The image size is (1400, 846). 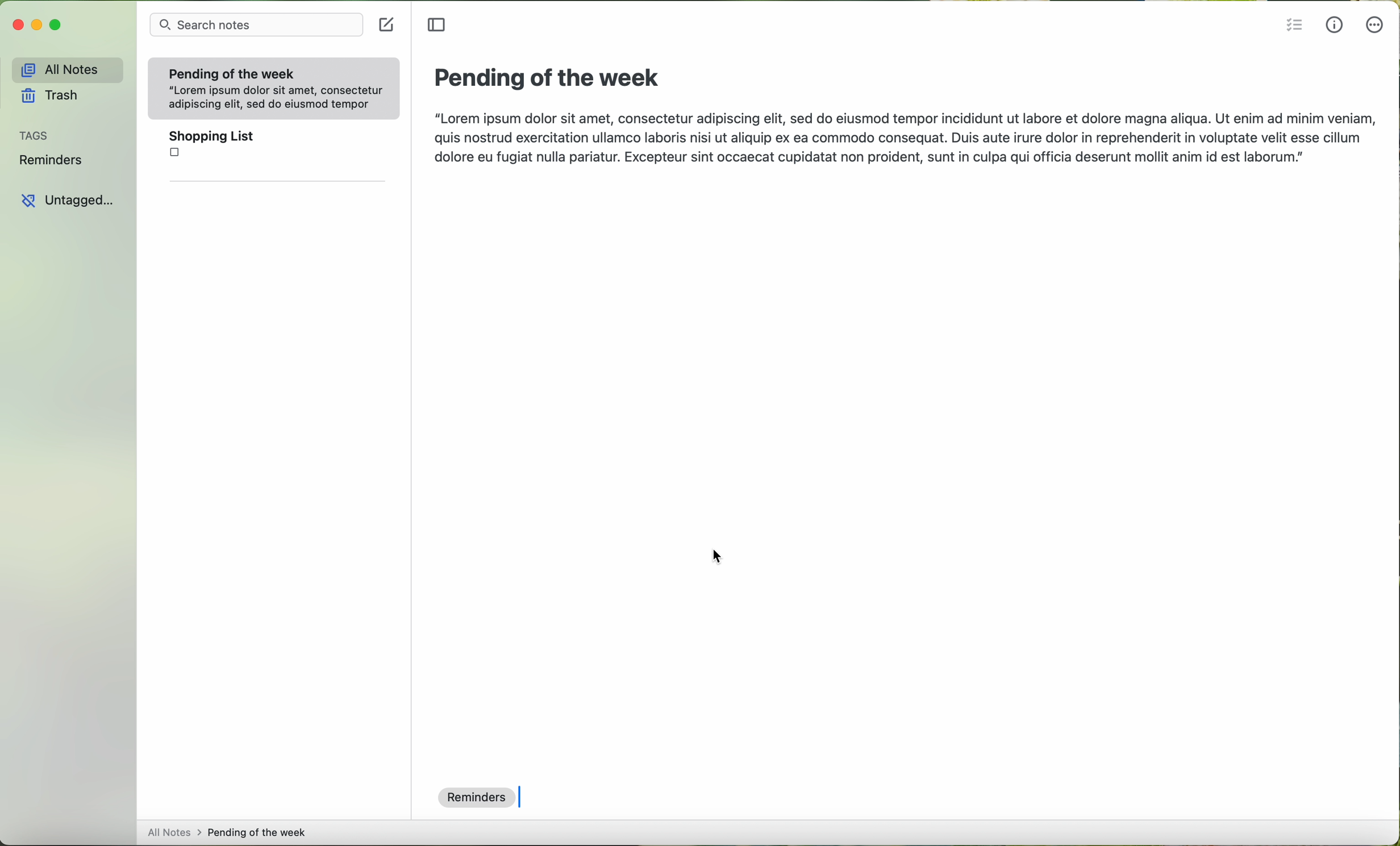 I want to click on more options, so click(x=1374, y=28).